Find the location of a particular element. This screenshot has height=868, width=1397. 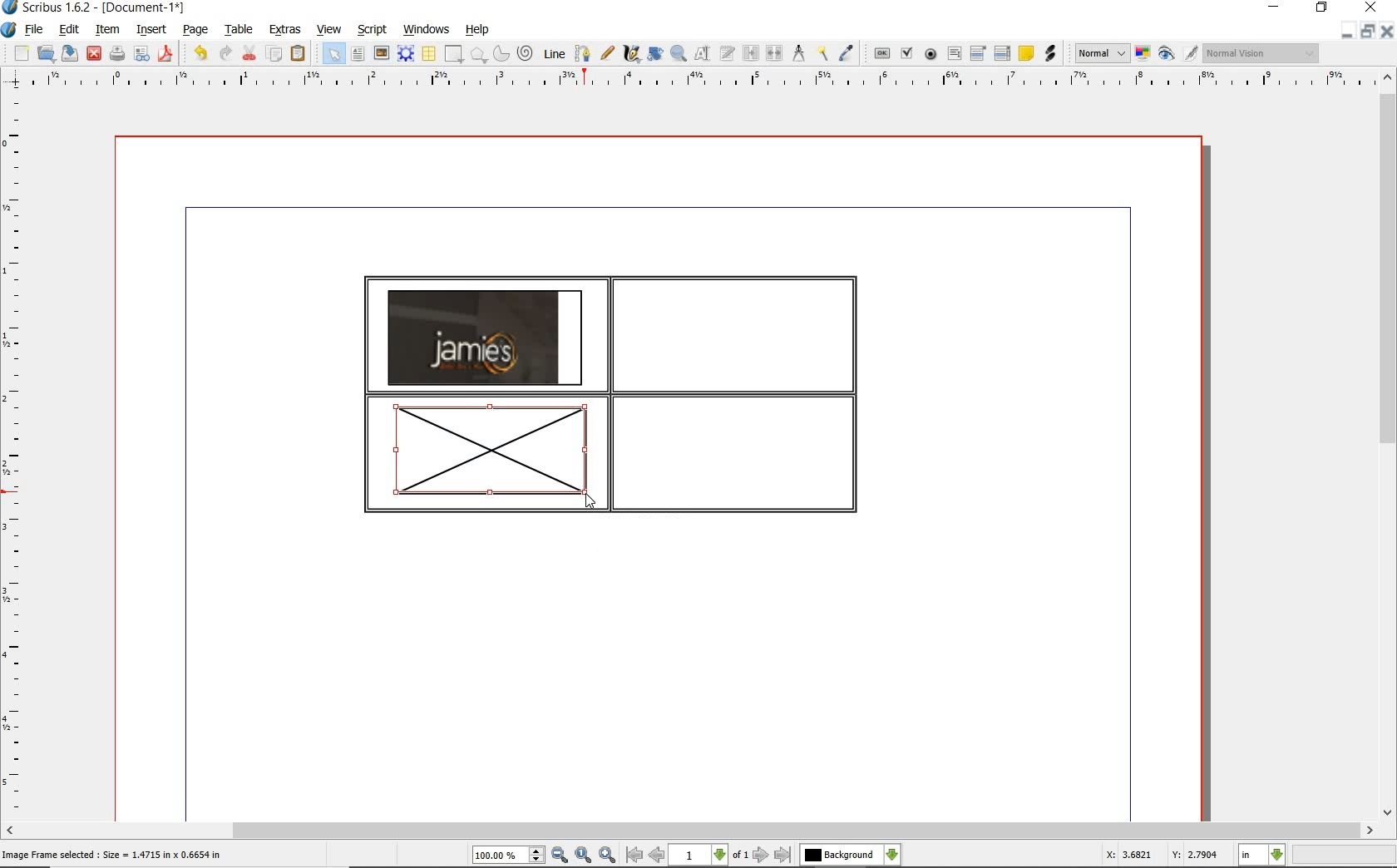

link text frames is located at coordinates (752, 53).